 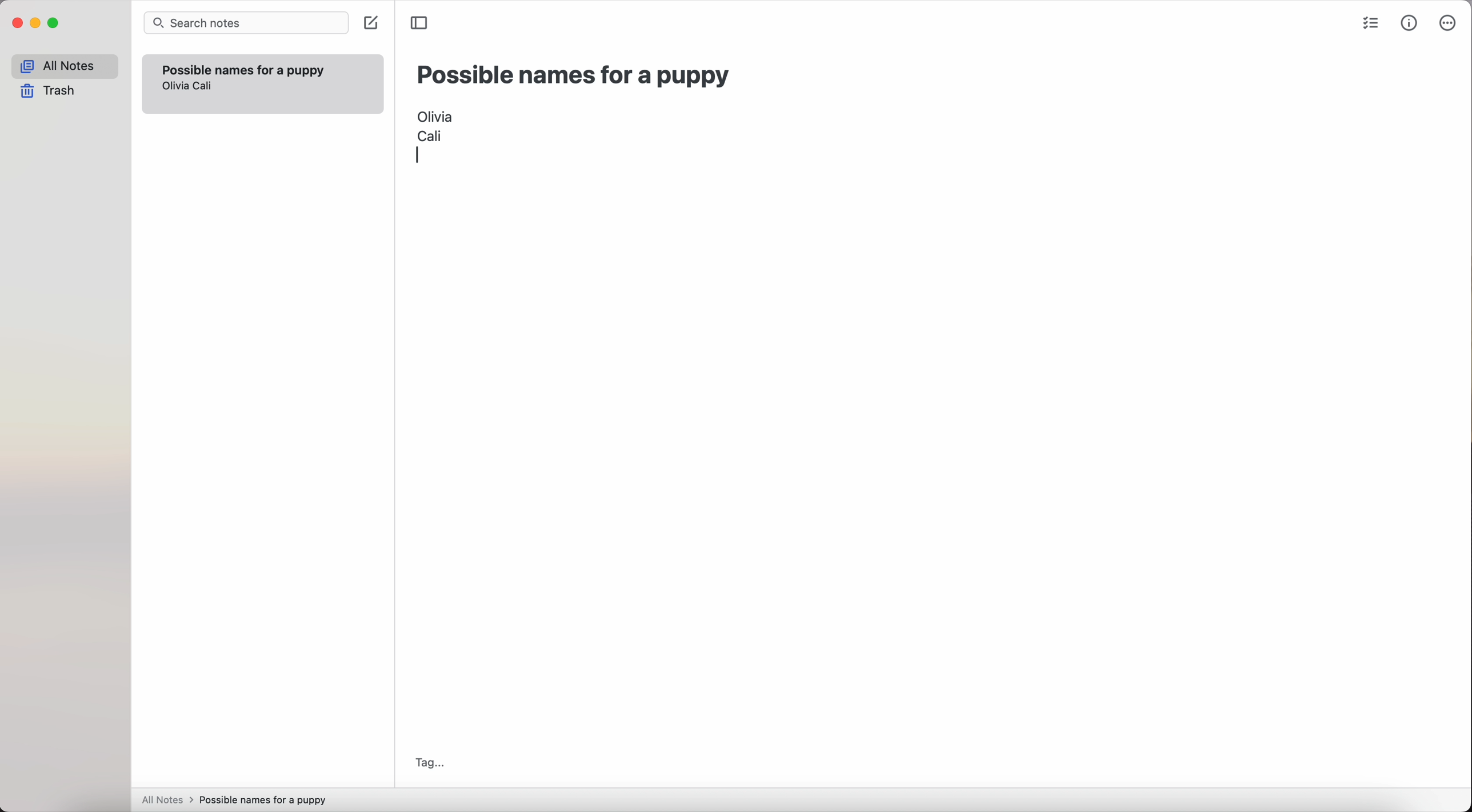 I want to click on minimize, so click(x=36, y=24).